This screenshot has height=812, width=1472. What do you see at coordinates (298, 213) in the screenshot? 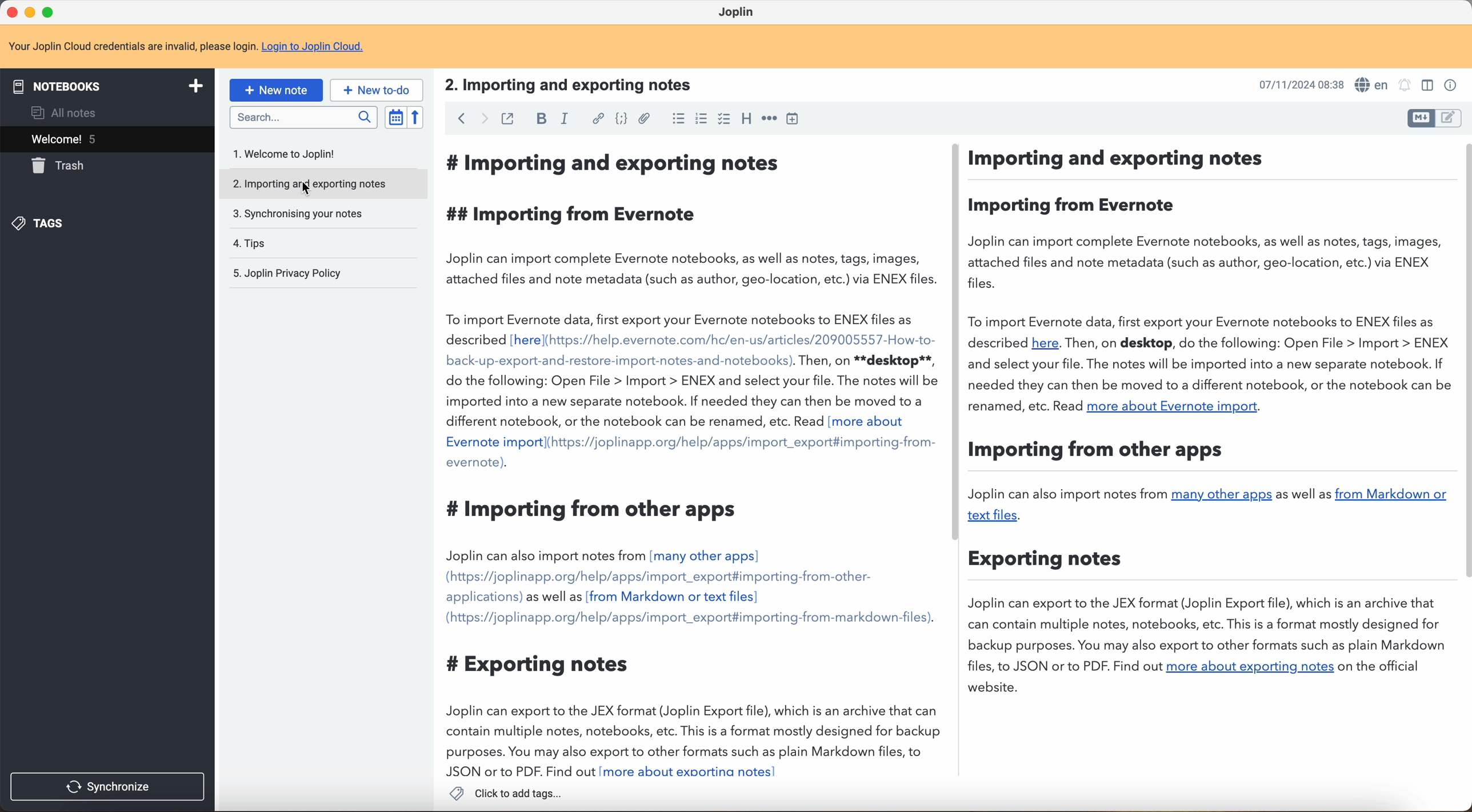
I see `synchronising your notes` at bounding box center [298, 213].